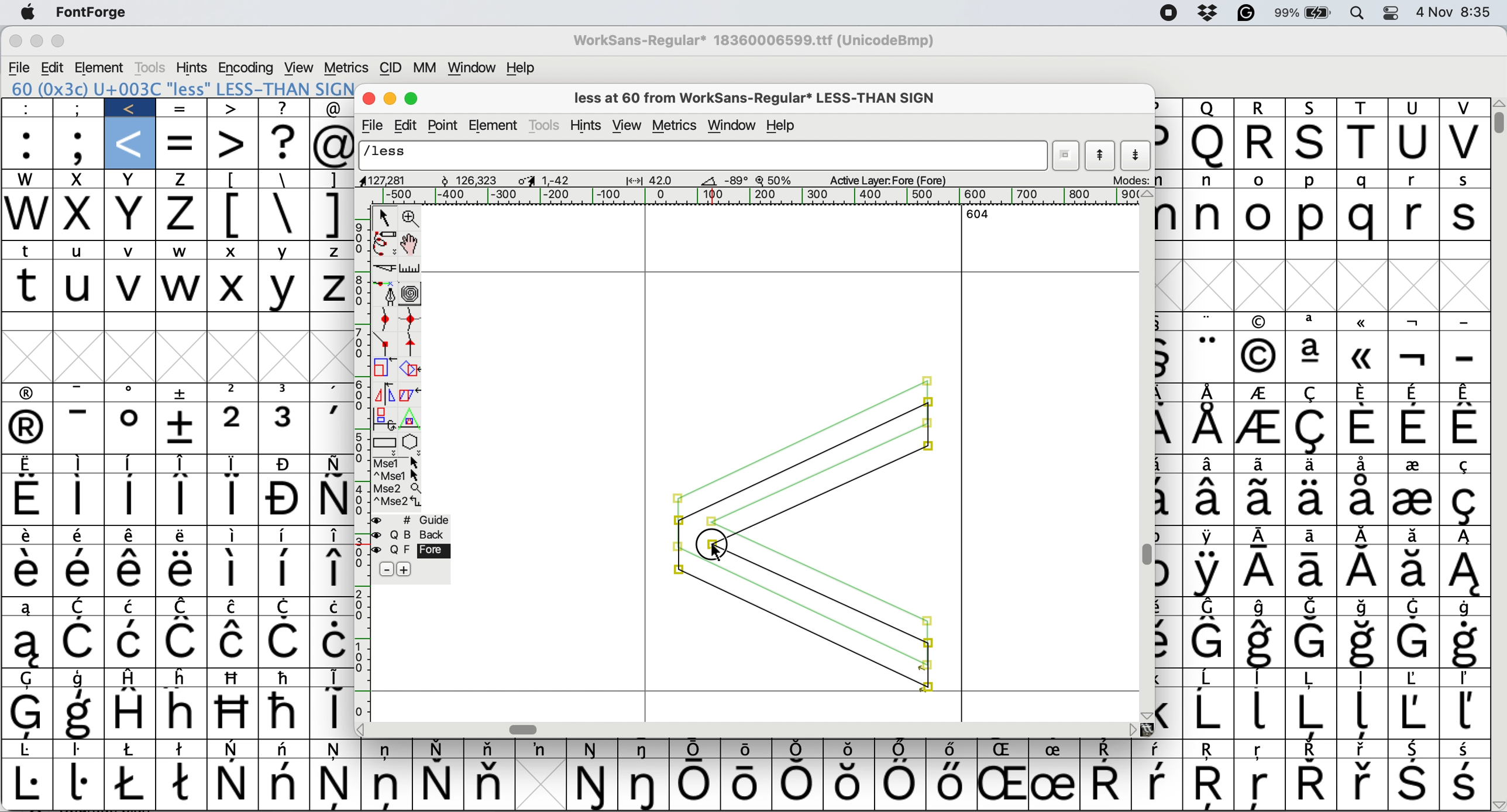 The image size is (1507, 812). What do you see at coordinates (704, 155) in the screenshot?
I see `glyph name` at bounding box center [704, 155].